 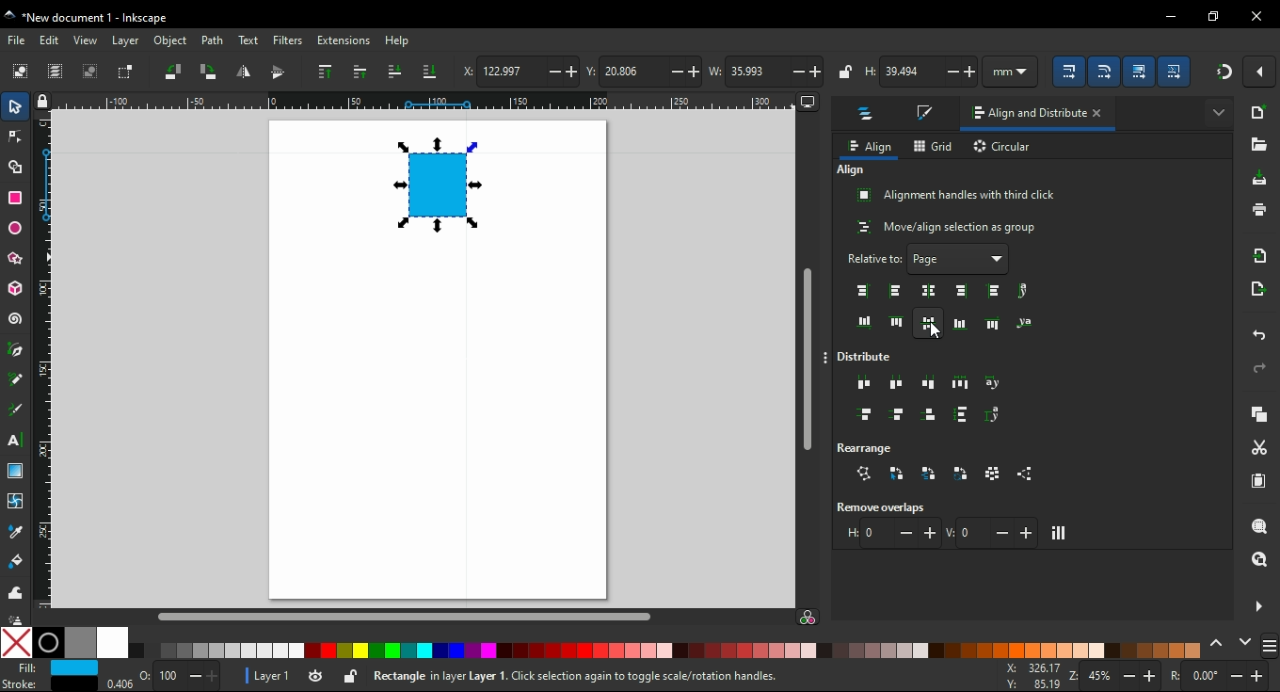 I want to click on scroll bar, so click(x=423, y=616).